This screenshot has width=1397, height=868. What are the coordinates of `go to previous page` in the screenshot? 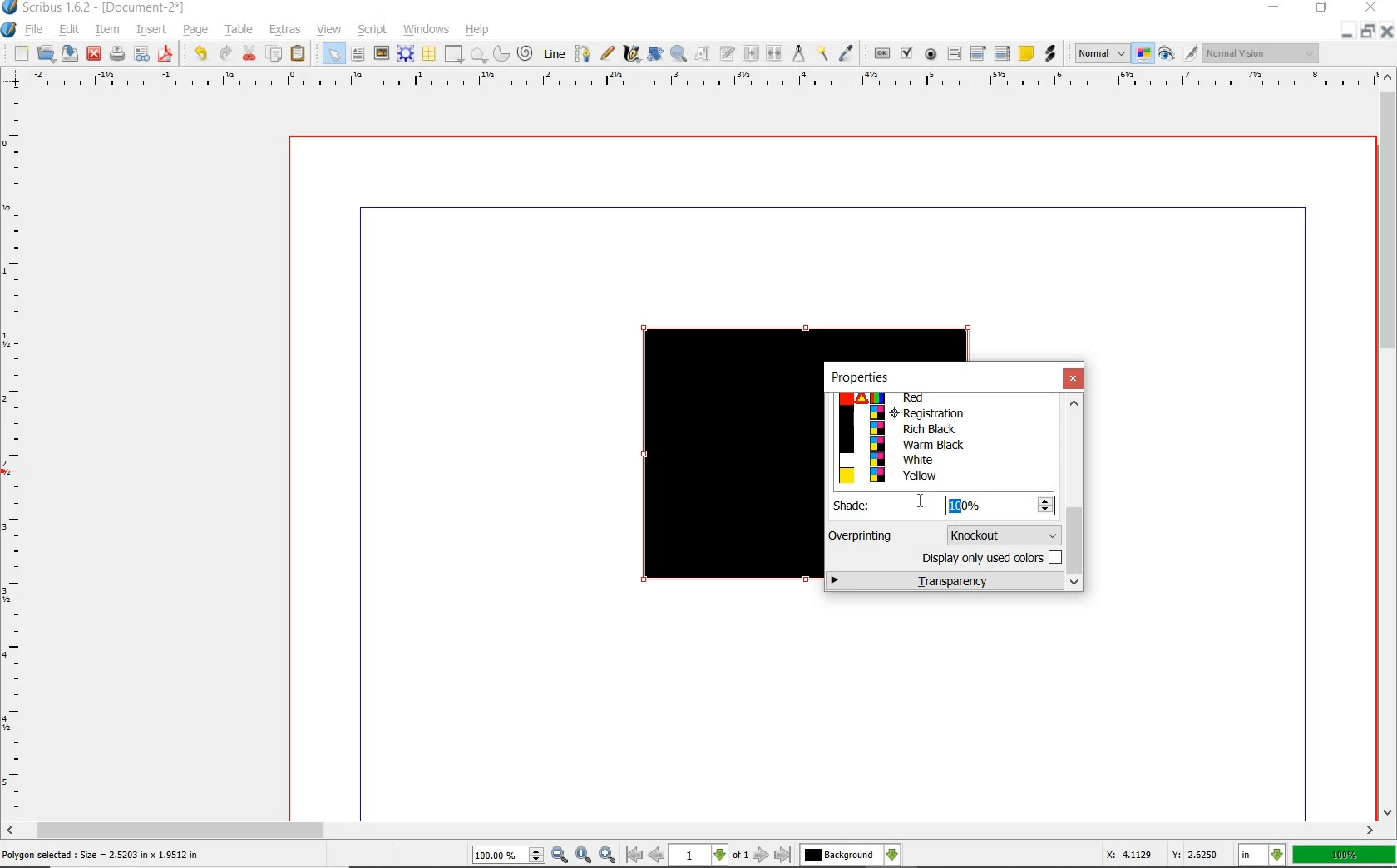 It's located at (657, 856).